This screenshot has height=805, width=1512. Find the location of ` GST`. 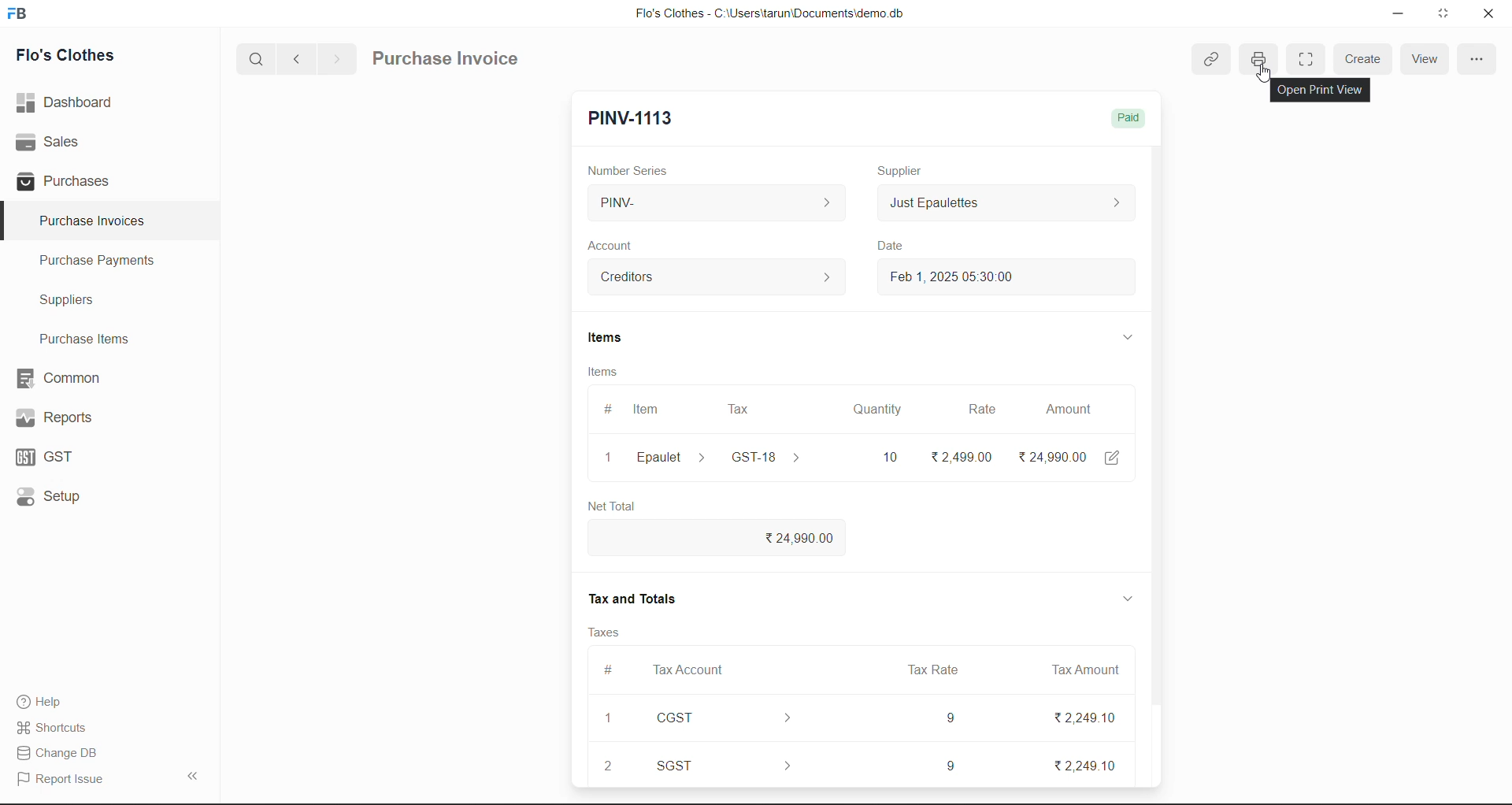

 GST is located at coordinates (64, 457).